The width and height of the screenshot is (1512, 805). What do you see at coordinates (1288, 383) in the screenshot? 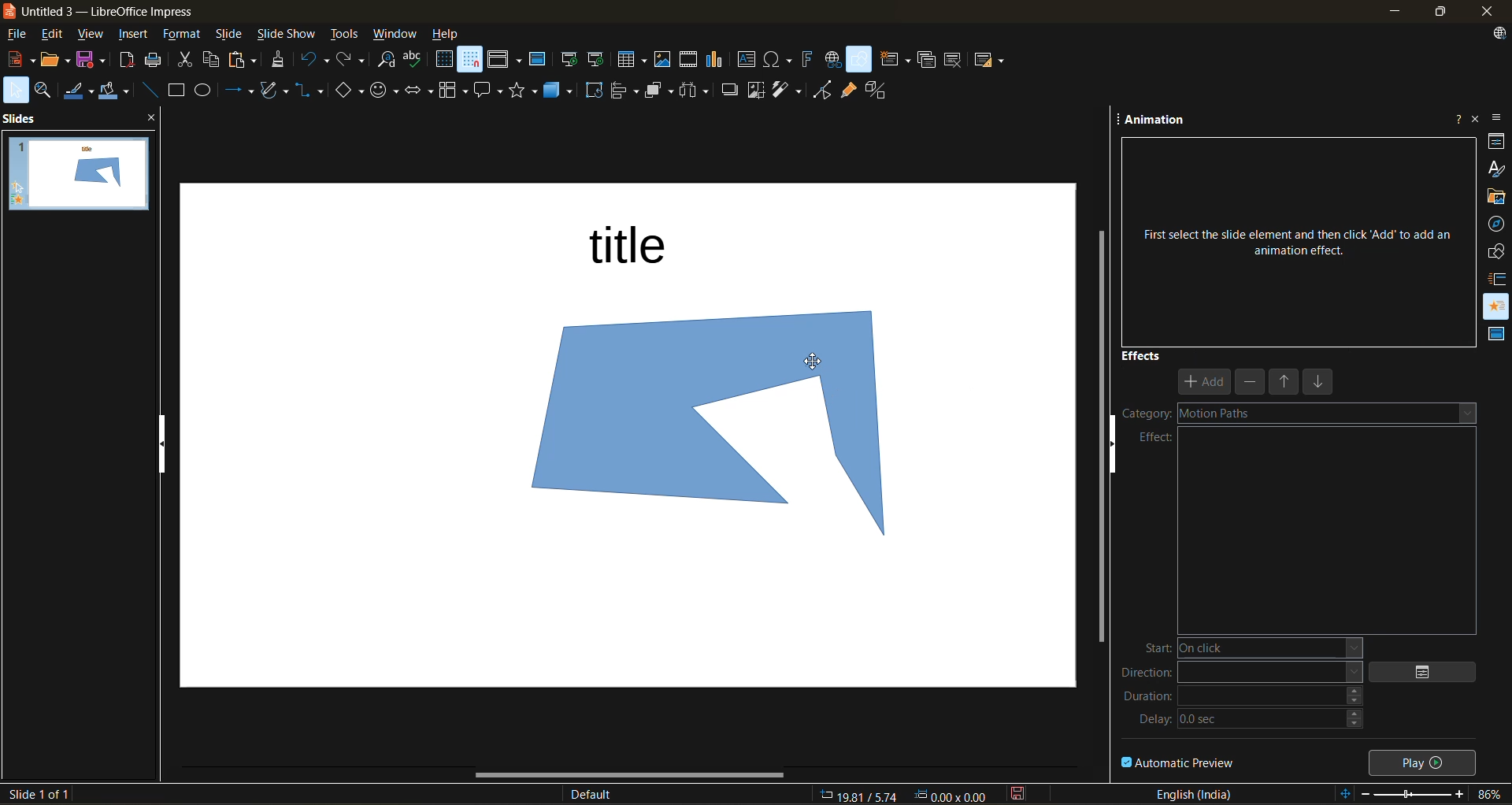
I see `move up` at bounding box center [1288, 383].